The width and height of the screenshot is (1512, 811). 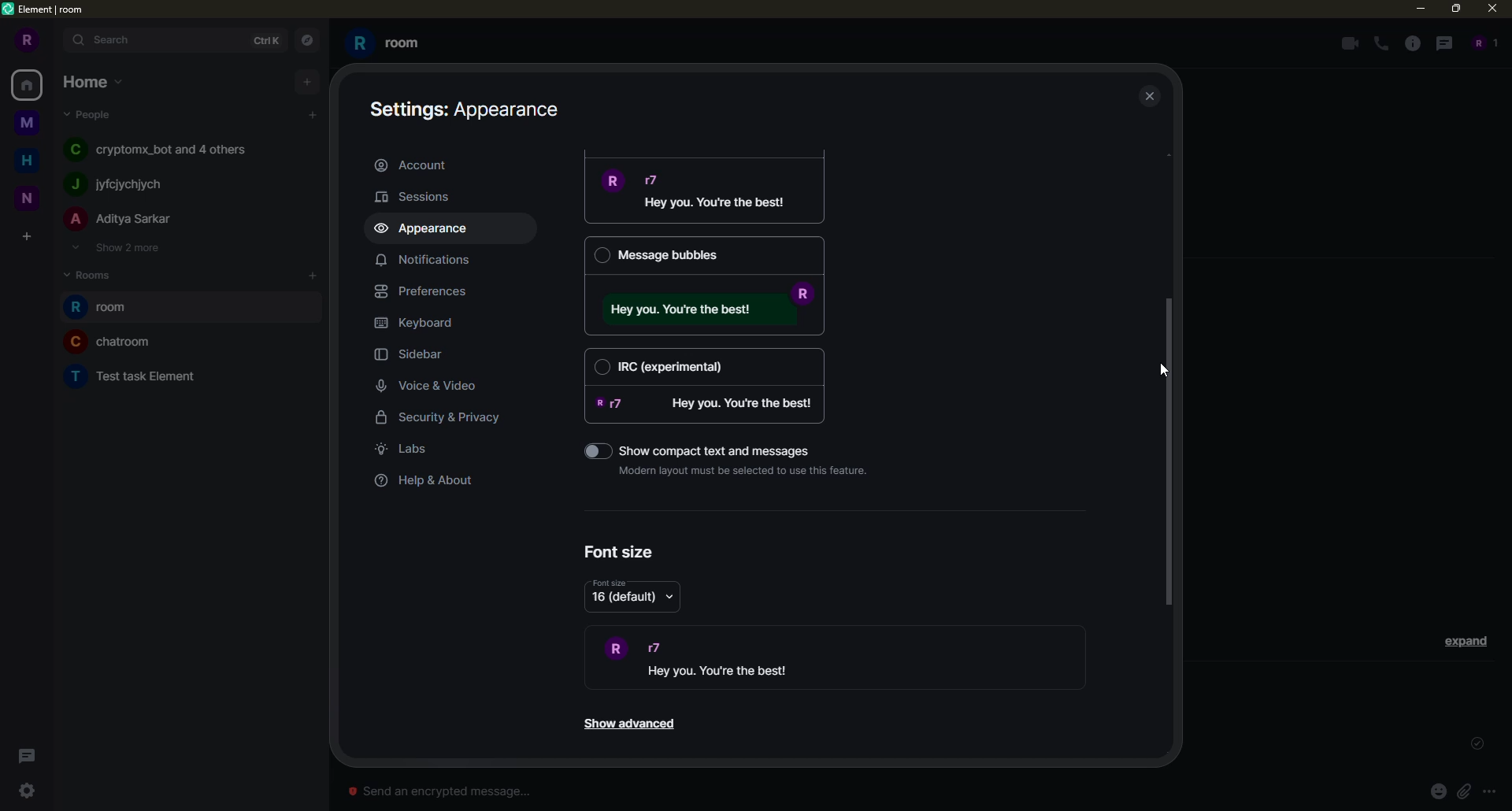 What do you see at coordinates (422, 196) in the screenshot?
I see `sessions` at bounding box center [422, 196].